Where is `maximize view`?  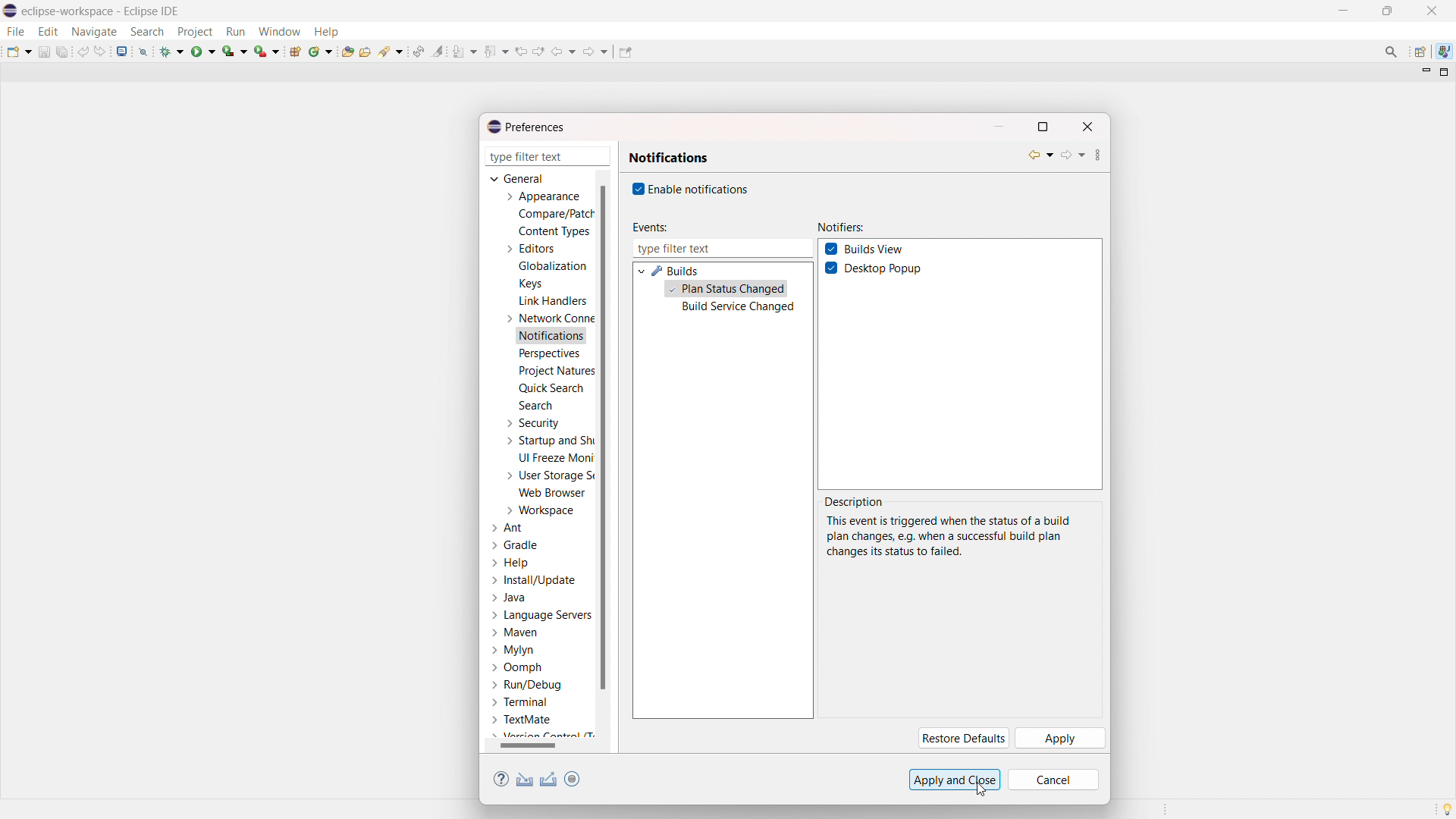
maximize view is located at coordinates (1445, 72).